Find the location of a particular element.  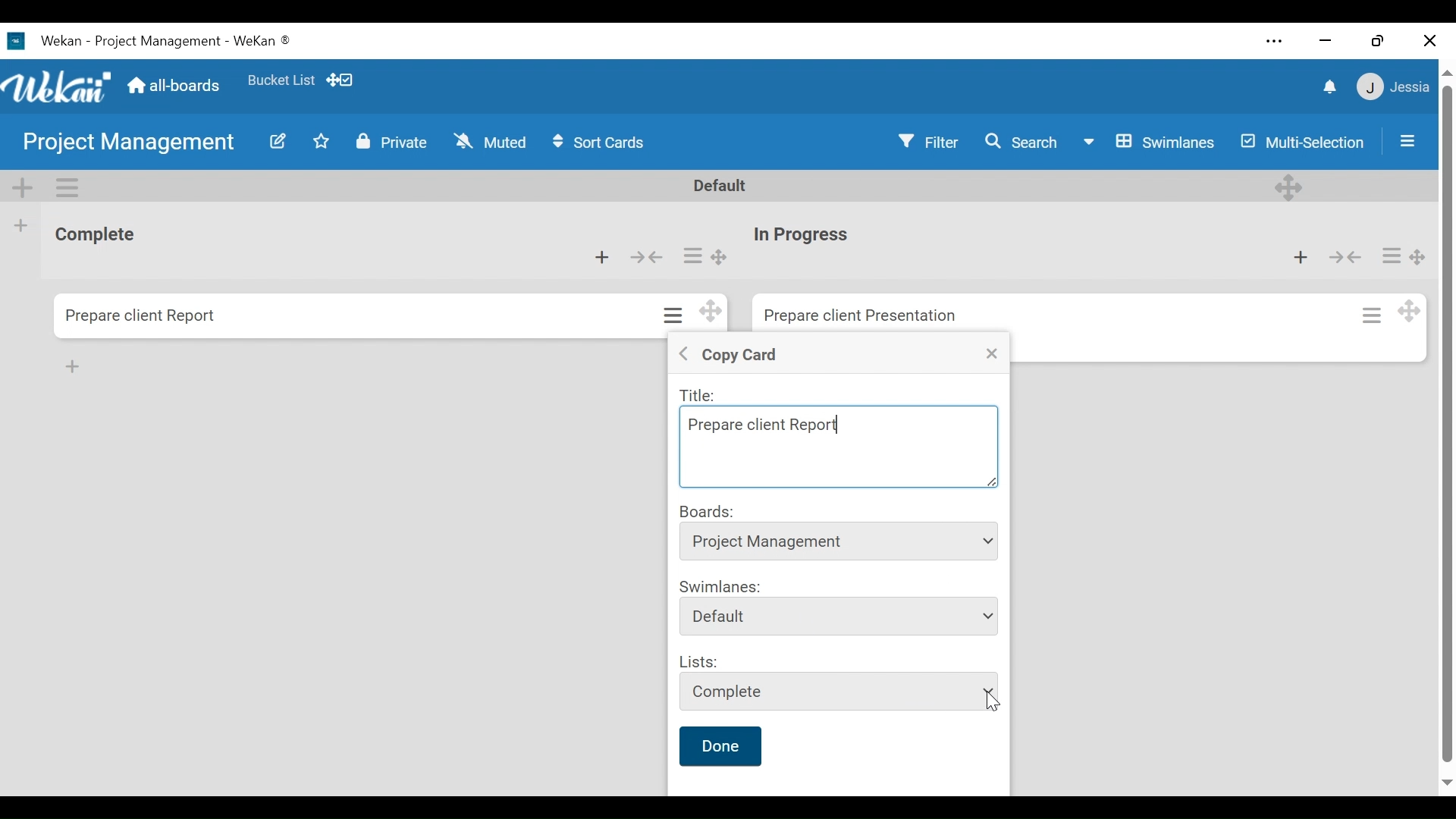

Desktop drag handles is located at coordinates (706, 312).